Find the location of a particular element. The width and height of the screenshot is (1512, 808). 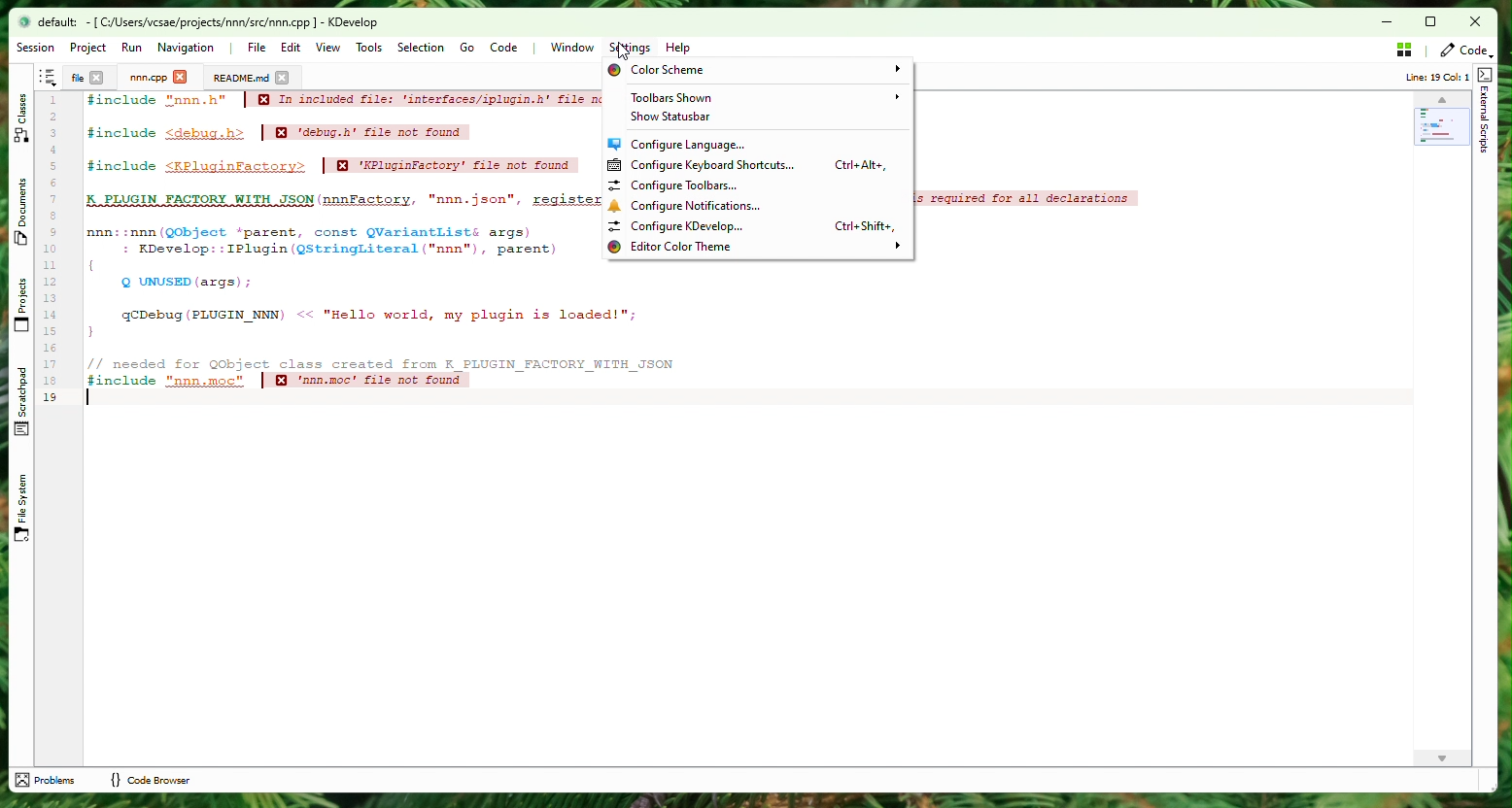

Show status bar is located at coordinates (735, 118).